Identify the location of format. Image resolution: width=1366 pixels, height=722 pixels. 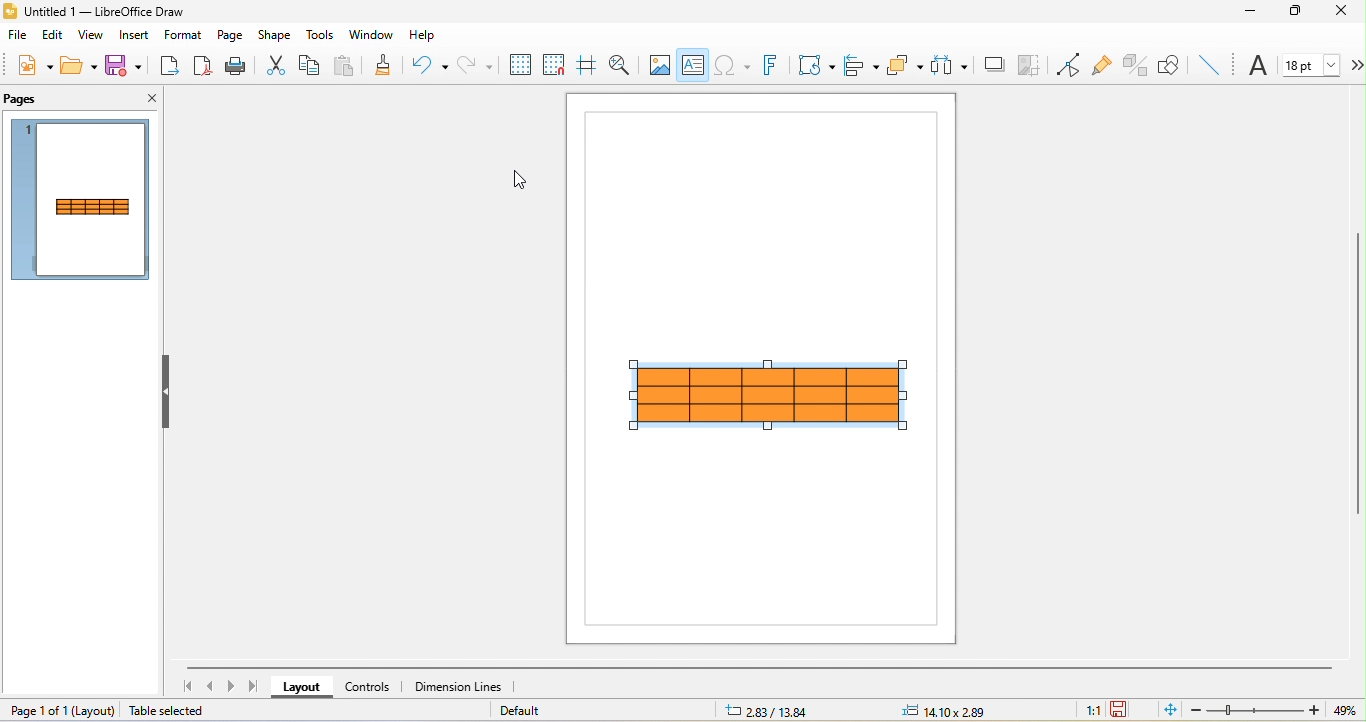
(185, 35).